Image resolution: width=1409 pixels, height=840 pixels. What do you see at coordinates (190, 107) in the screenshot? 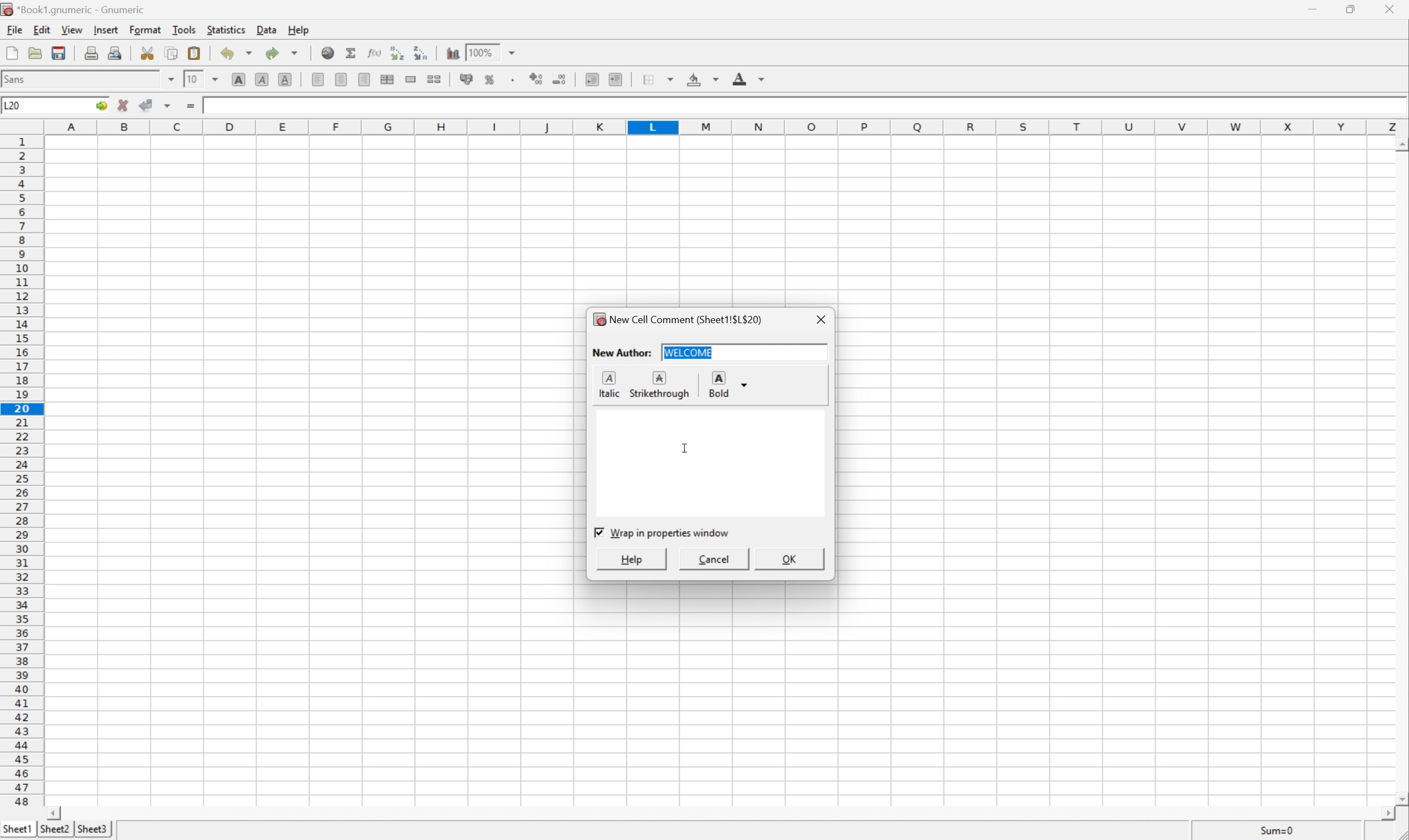
I see `Enter formula` at bounding box center [190, 107].